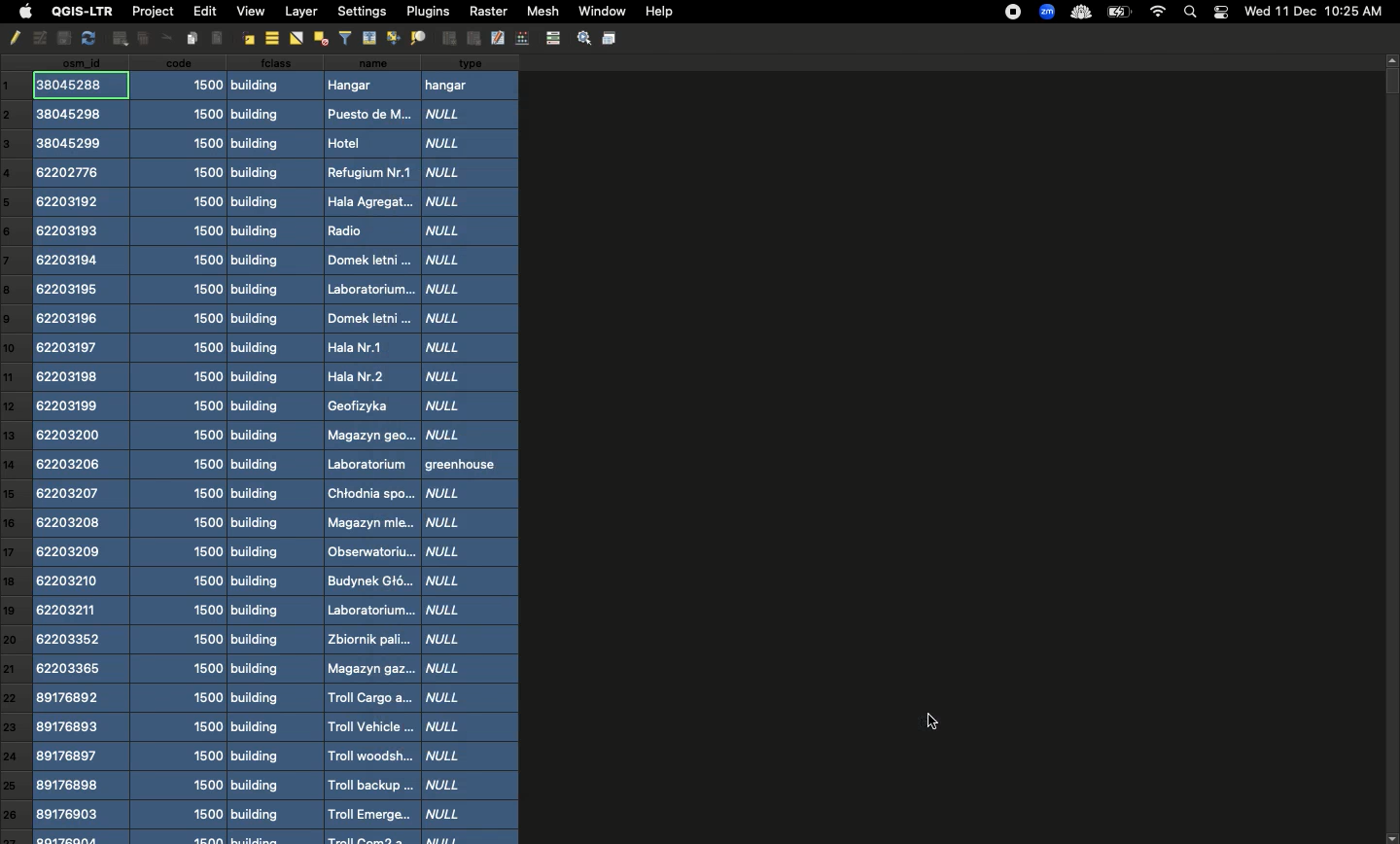 Image resolution: width=1400 pixels, height=844 pixels. I want to click on Align center, so click(270, 38).